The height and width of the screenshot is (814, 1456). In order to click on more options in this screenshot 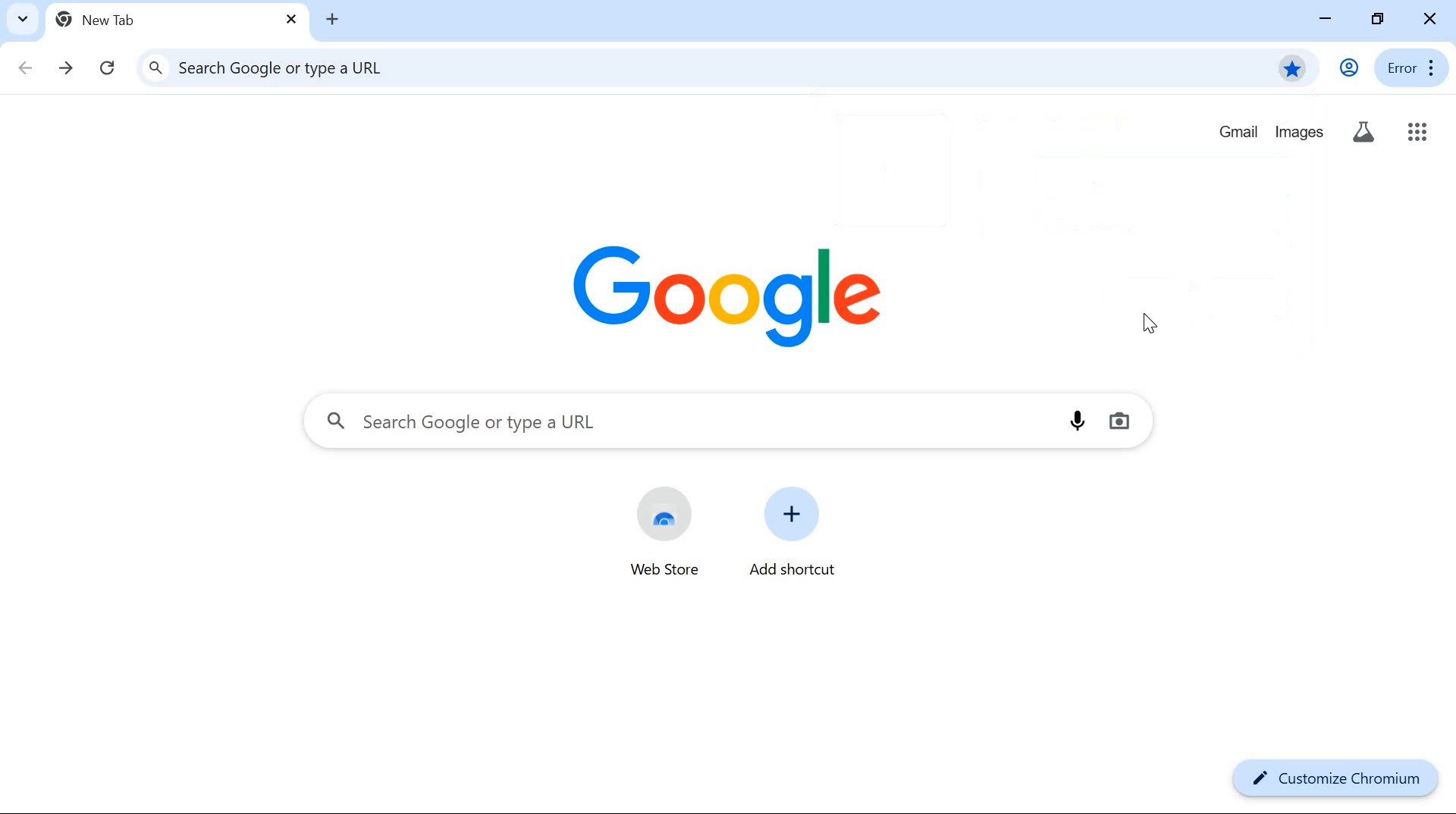, I will do `click(1433, 67)`.